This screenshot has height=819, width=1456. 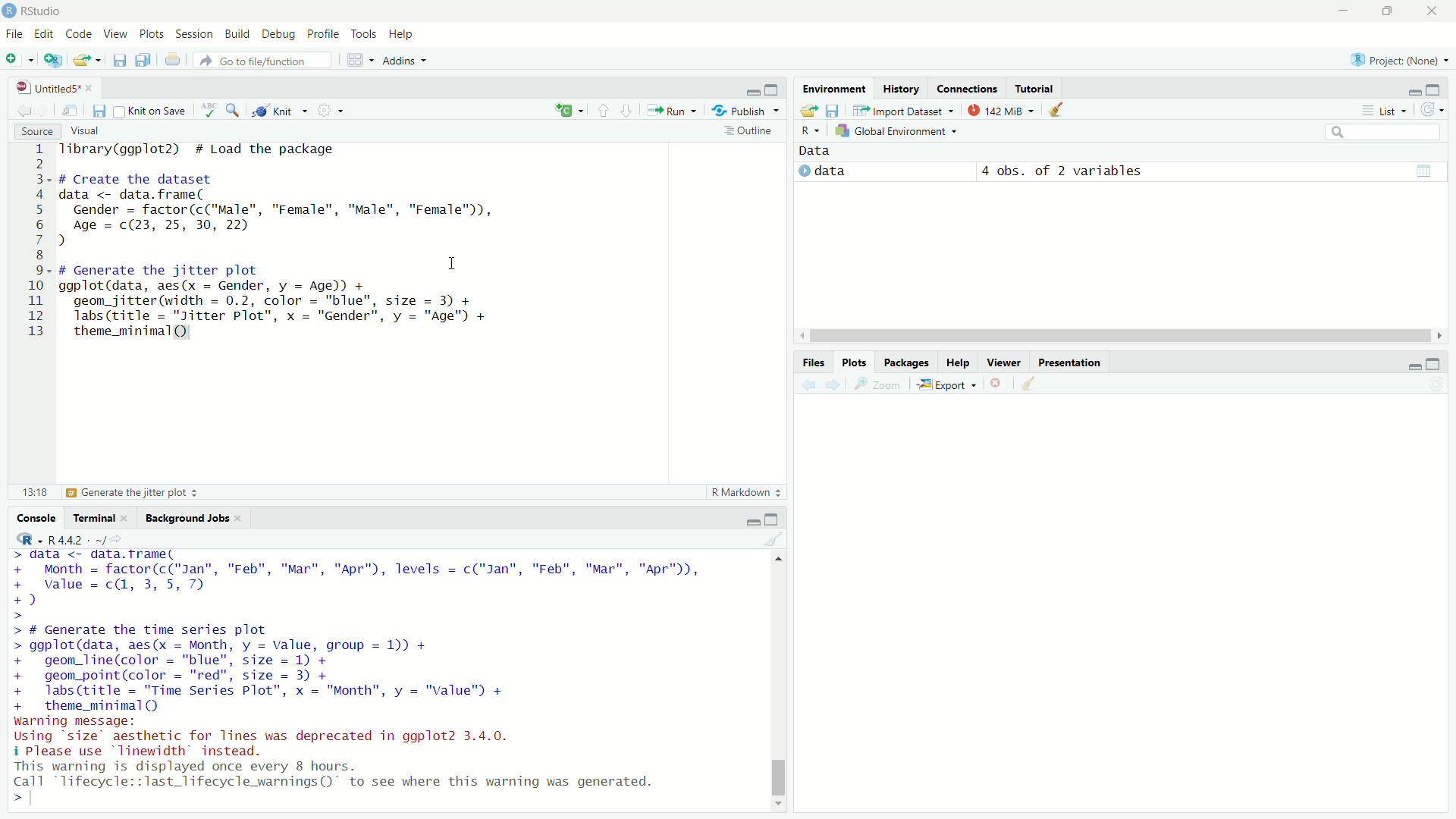 I want to click on clear all plots, so click(x=1031, y=384).